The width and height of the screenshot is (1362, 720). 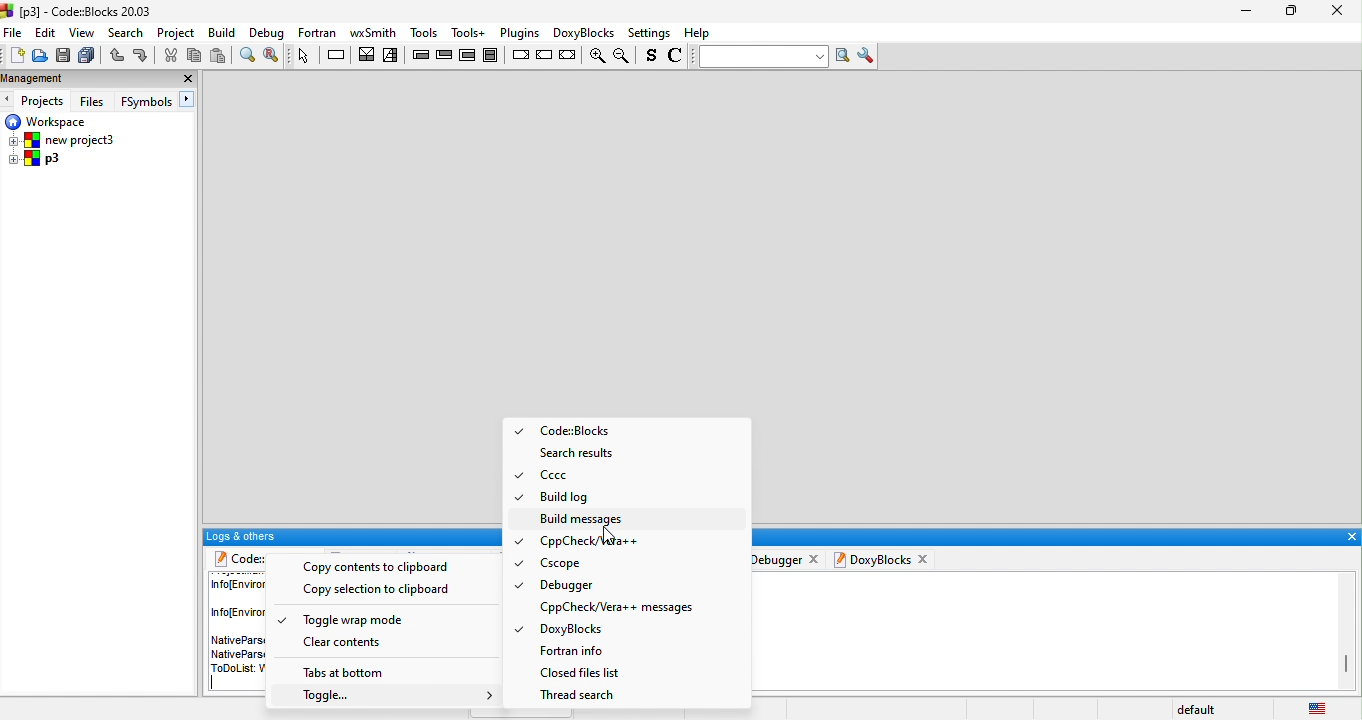 What do you see at coordinates (392, 56) in the screenshot?
I see `selection` at bounding box center [392, 56].